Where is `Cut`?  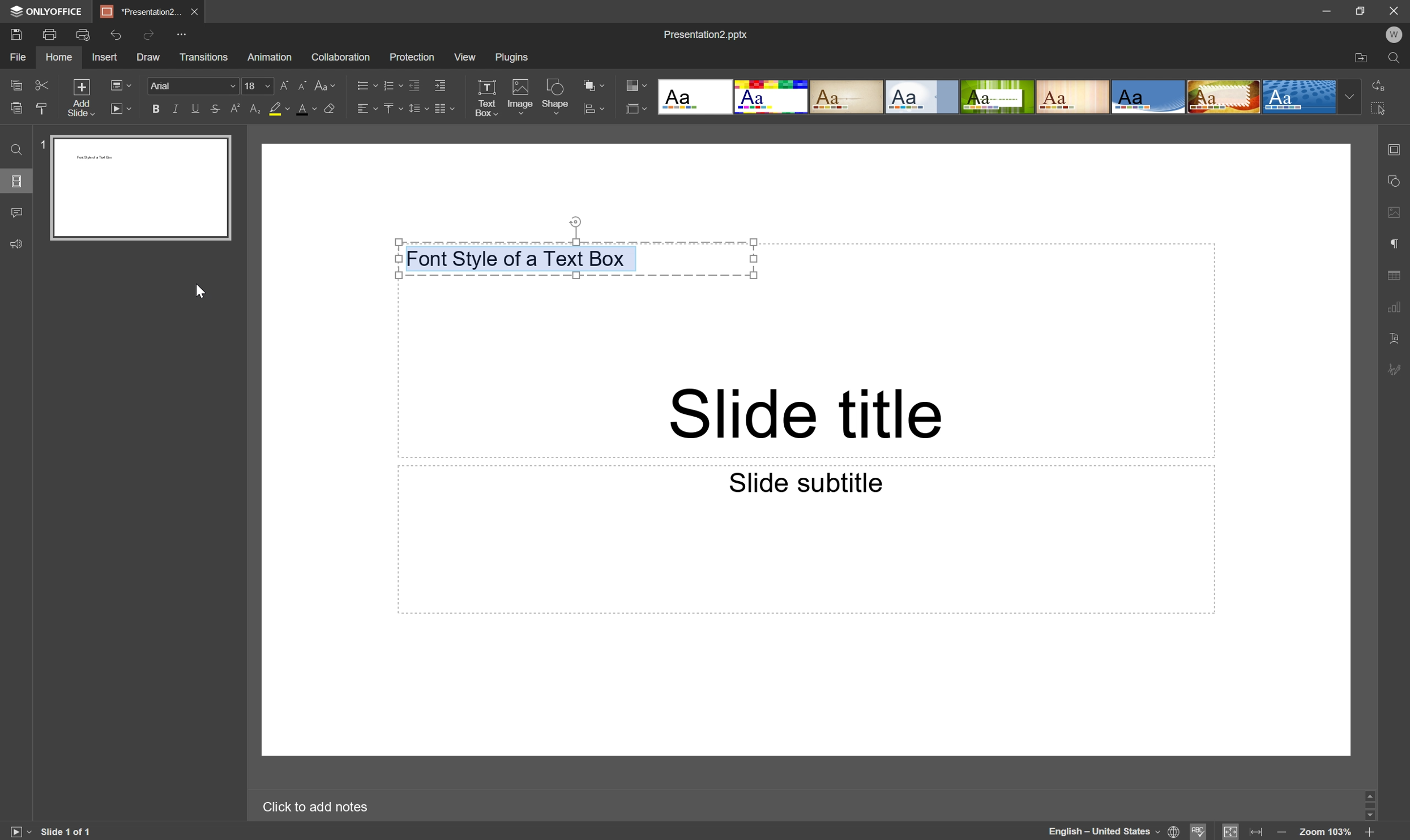 Cut is located at coordinates (43, 83).